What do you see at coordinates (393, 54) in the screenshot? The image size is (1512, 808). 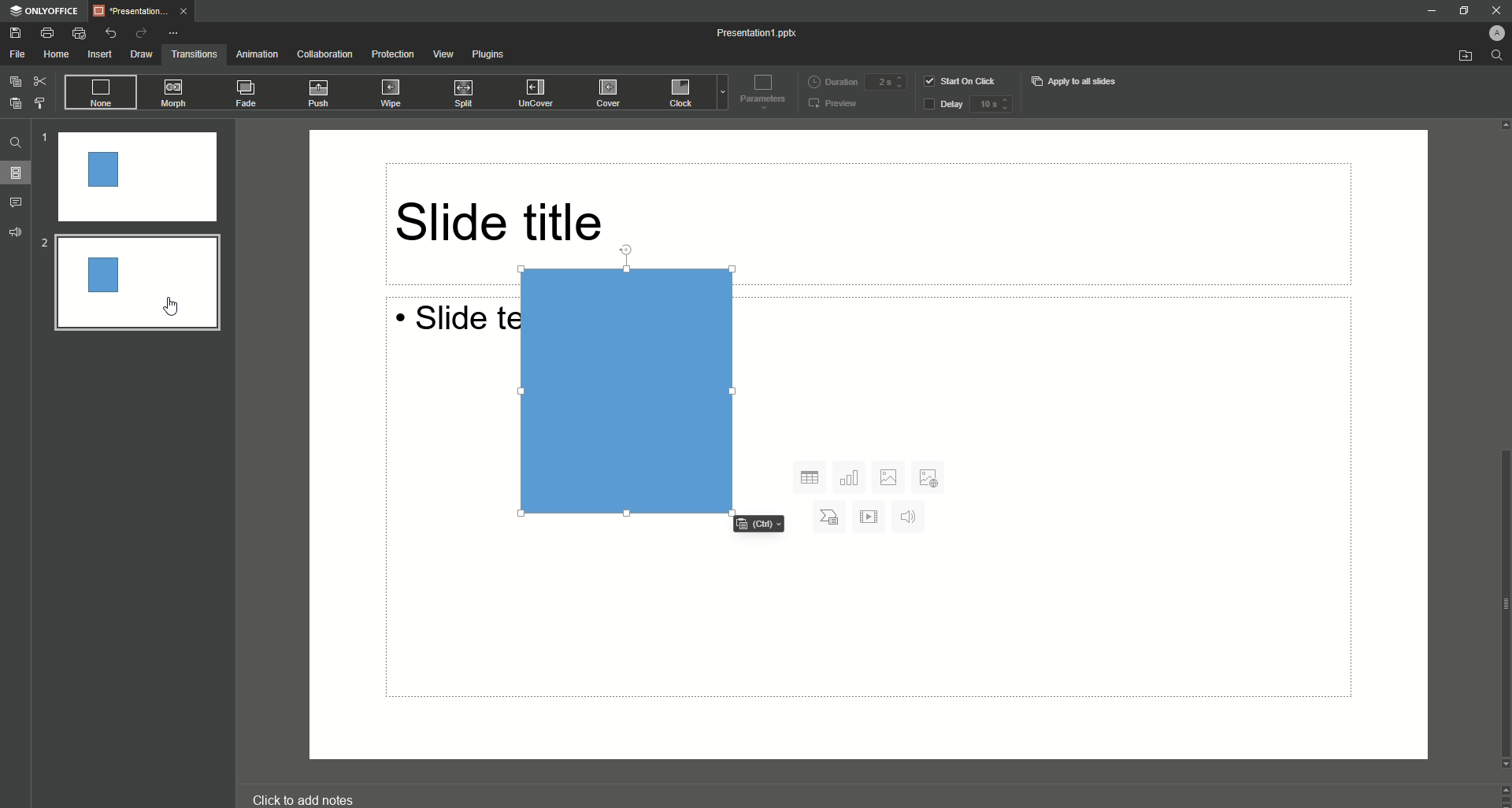 I see `Protection` at bounding box center [393, 54].